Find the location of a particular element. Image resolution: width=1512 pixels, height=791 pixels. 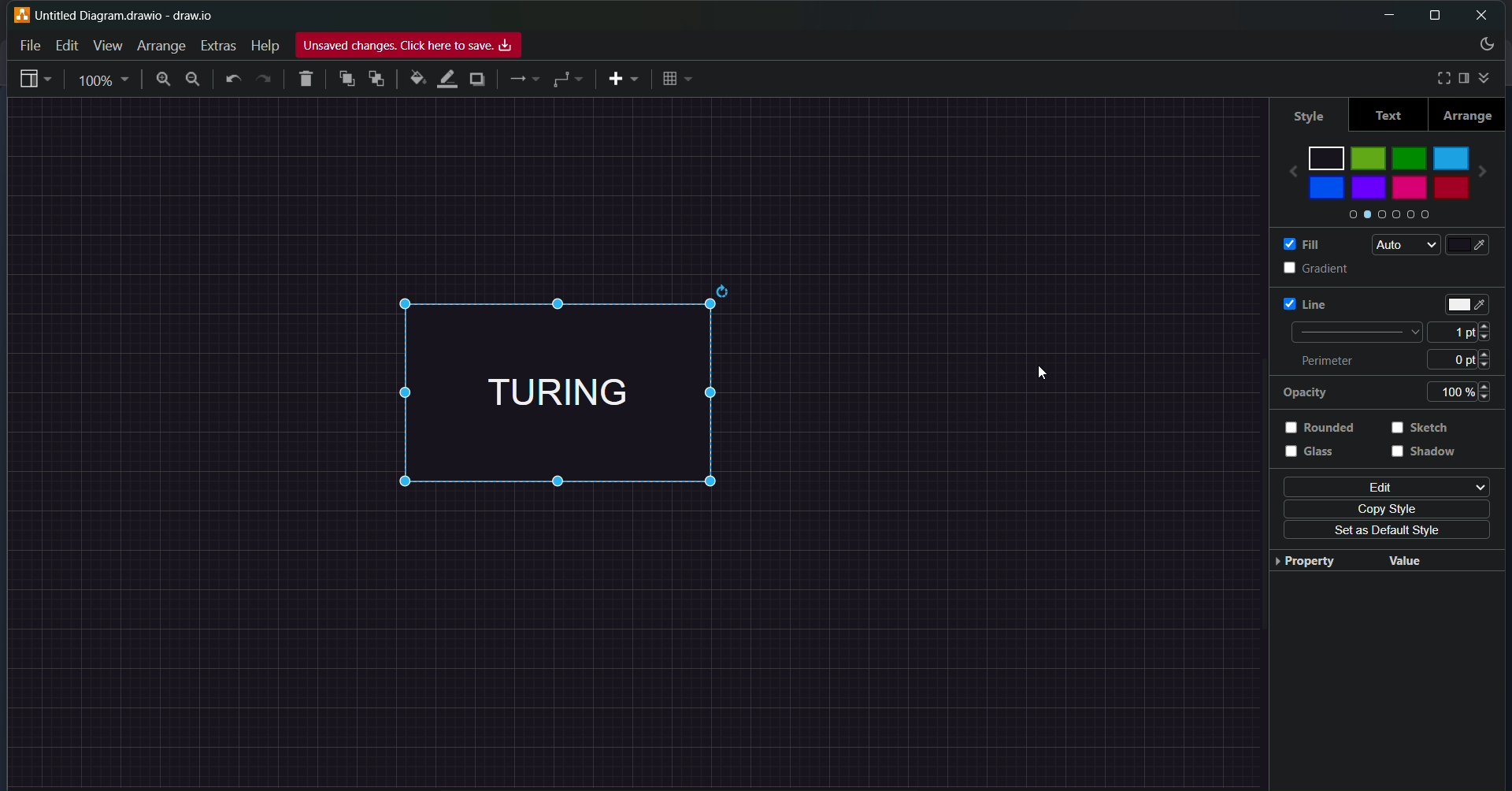

untitled Diagram.drawio - draw.io is located at coordinates (135, 13).